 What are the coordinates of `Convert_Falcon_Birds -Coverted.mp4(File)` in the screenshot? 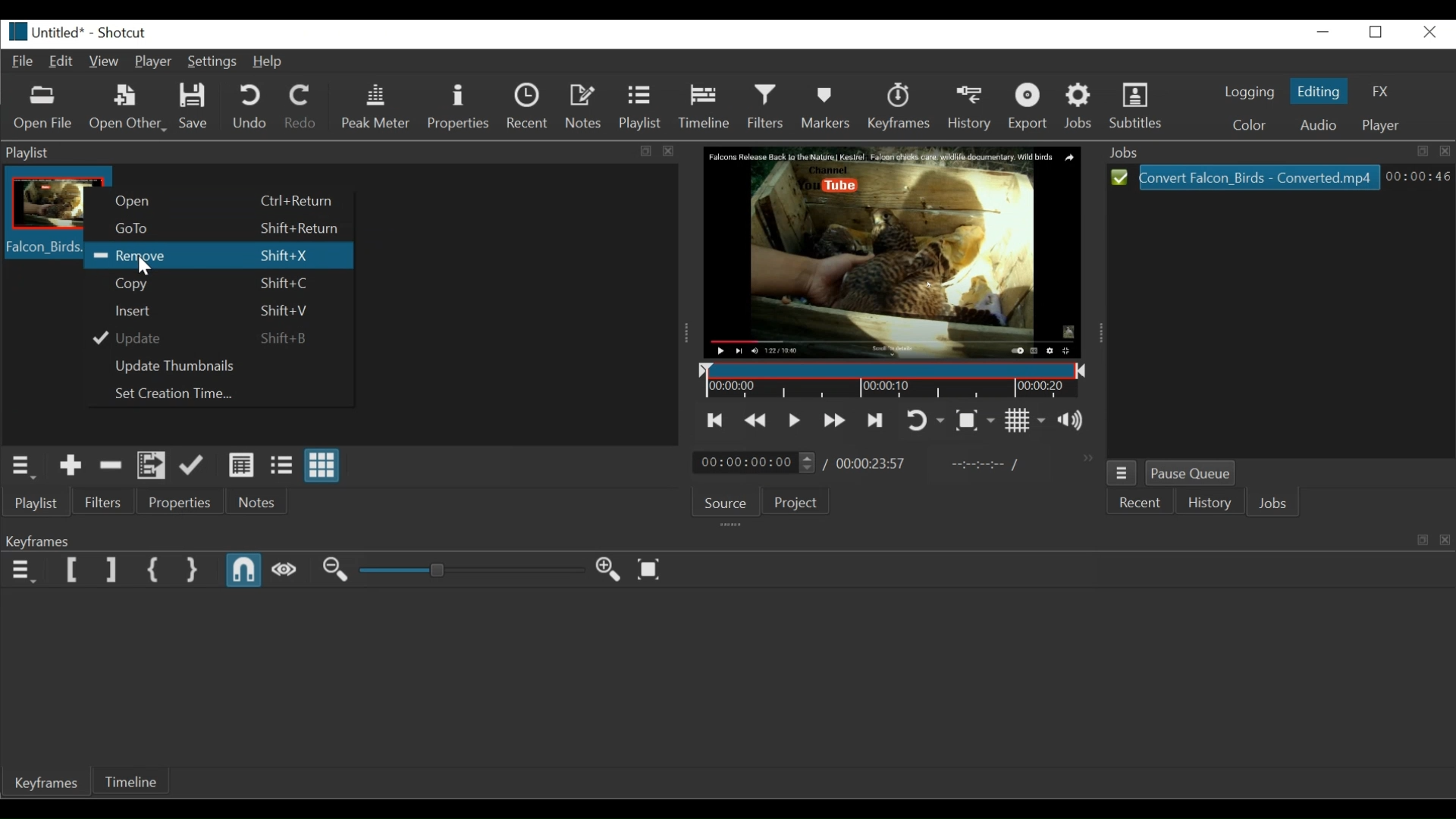 It's located at (1246, 177).